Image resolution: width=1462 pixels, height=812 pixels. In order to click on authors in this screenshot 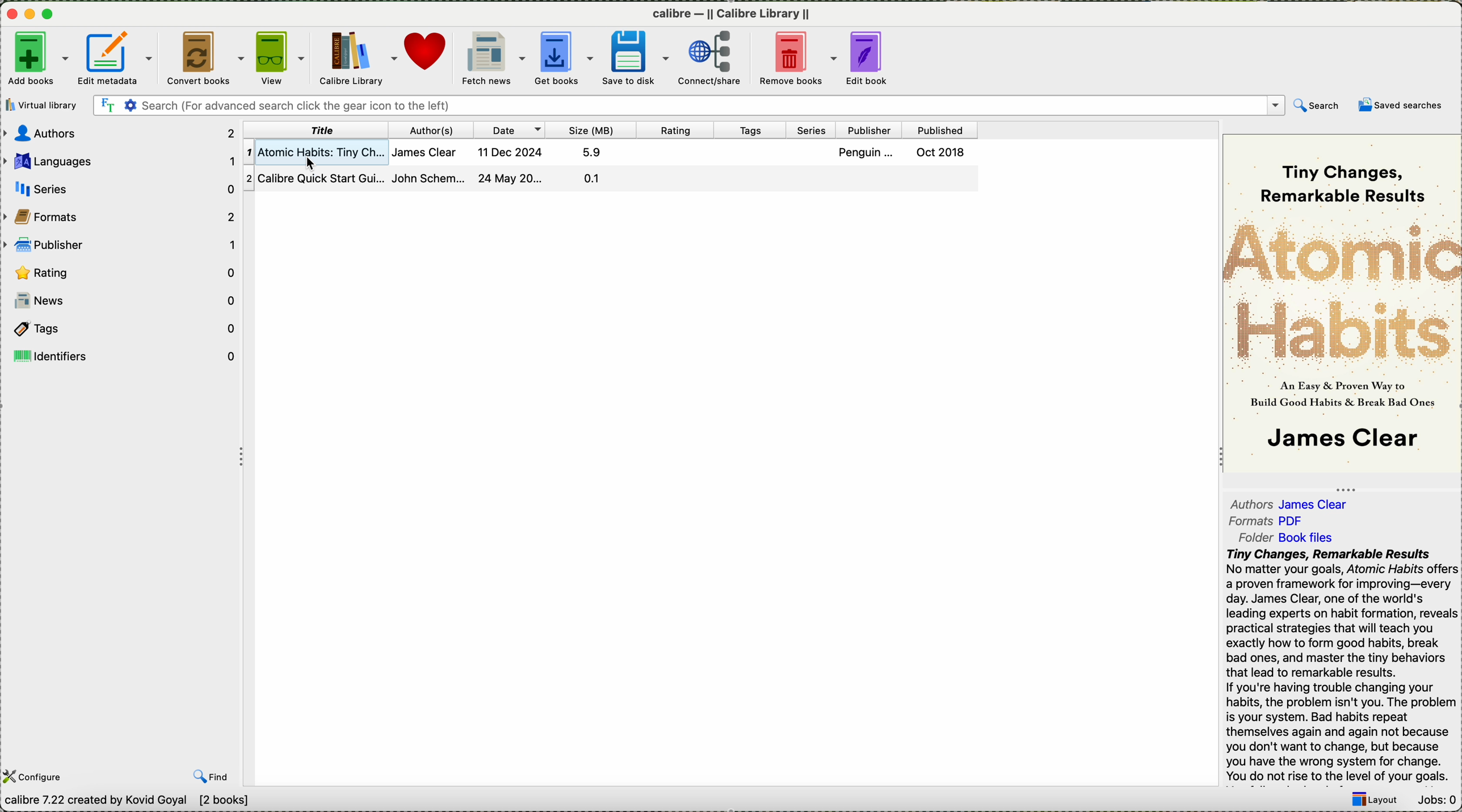, I will do `click(120, 133)`.